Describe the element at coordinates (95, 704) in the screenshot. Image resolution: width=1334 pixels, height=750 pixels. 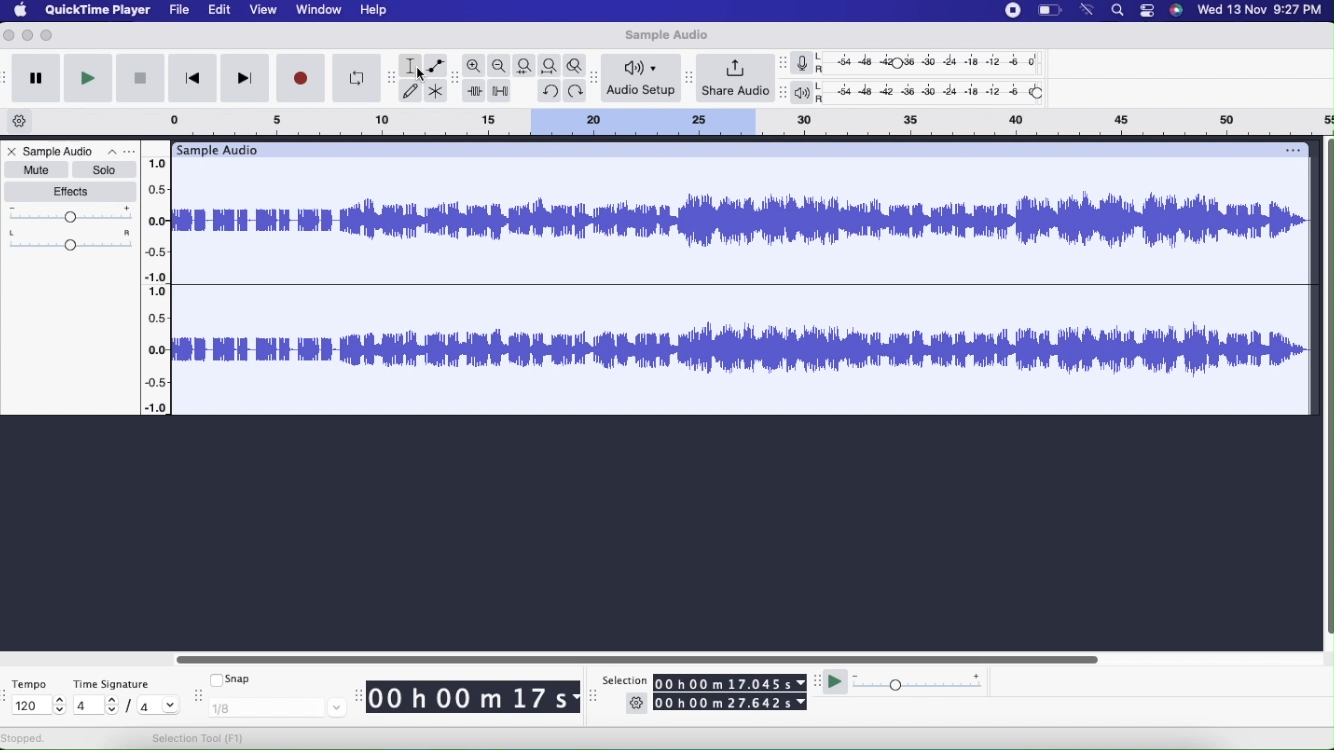
I see `4` at that location.